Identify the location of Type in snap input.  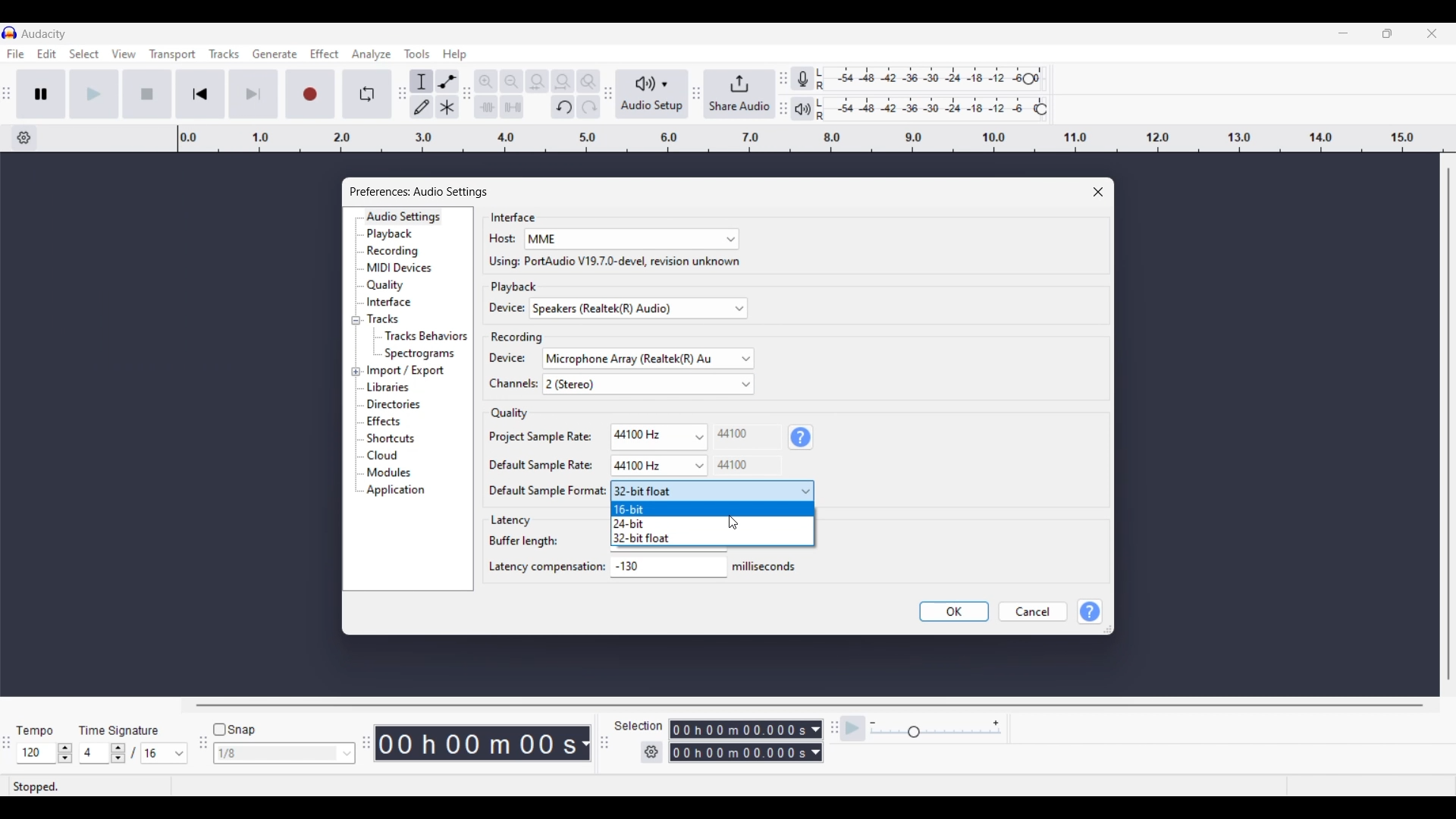
(277, 754).